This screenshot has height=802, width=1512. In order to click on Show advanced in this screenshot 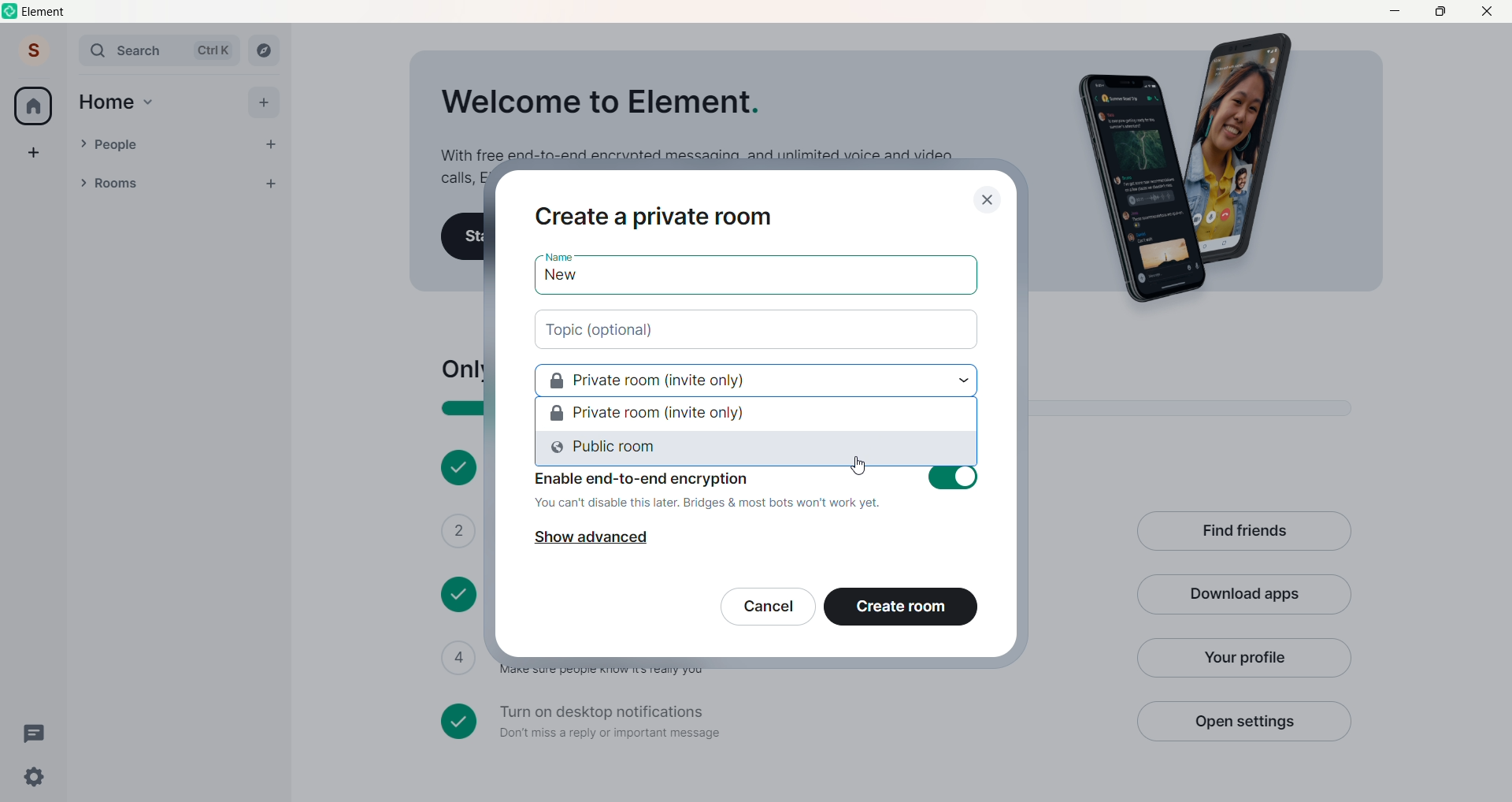, I will do `click(590, 538)`.